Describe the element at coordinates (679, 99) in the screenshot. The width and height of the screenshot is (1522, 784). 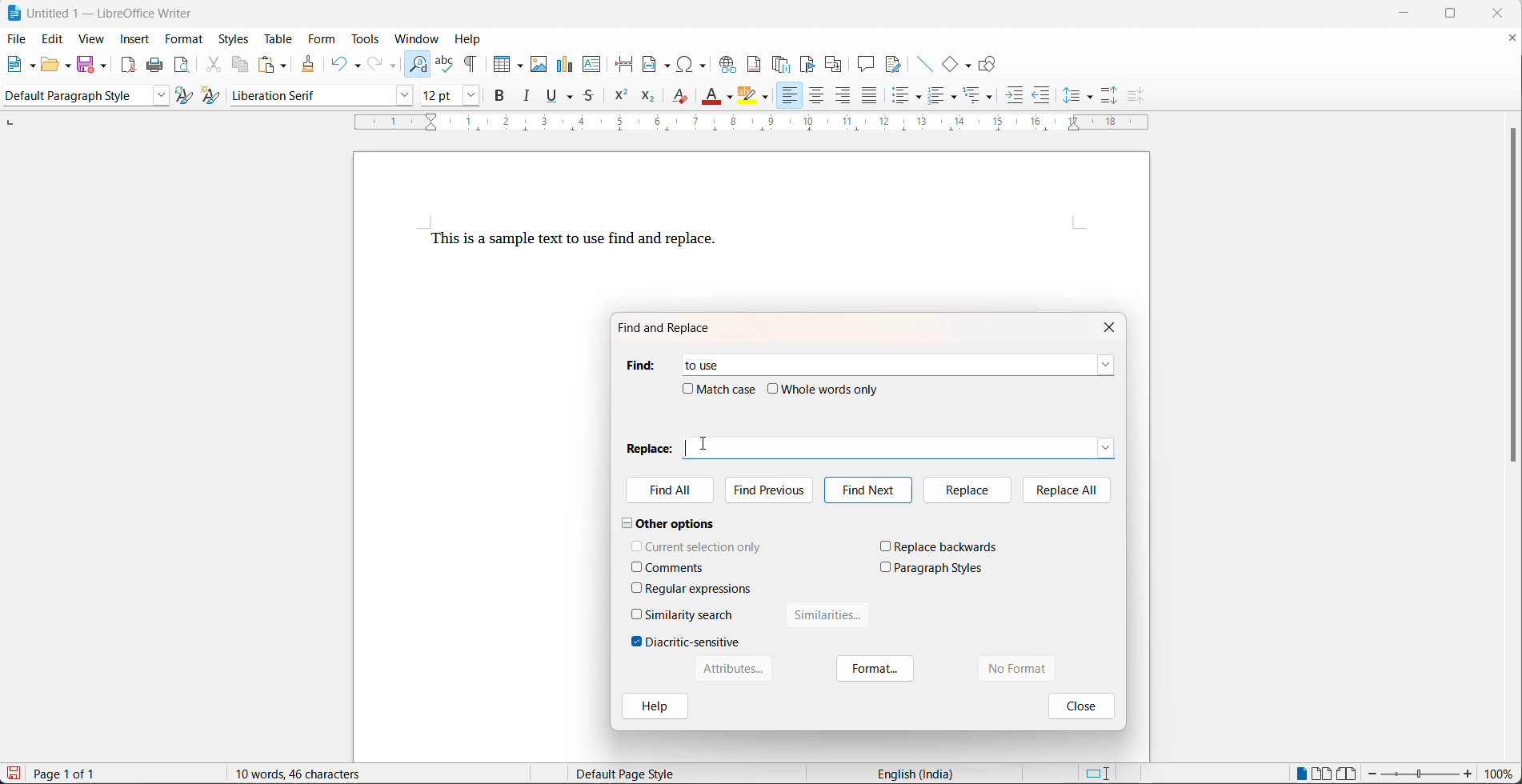
I see `clear direct formatting` at that location.